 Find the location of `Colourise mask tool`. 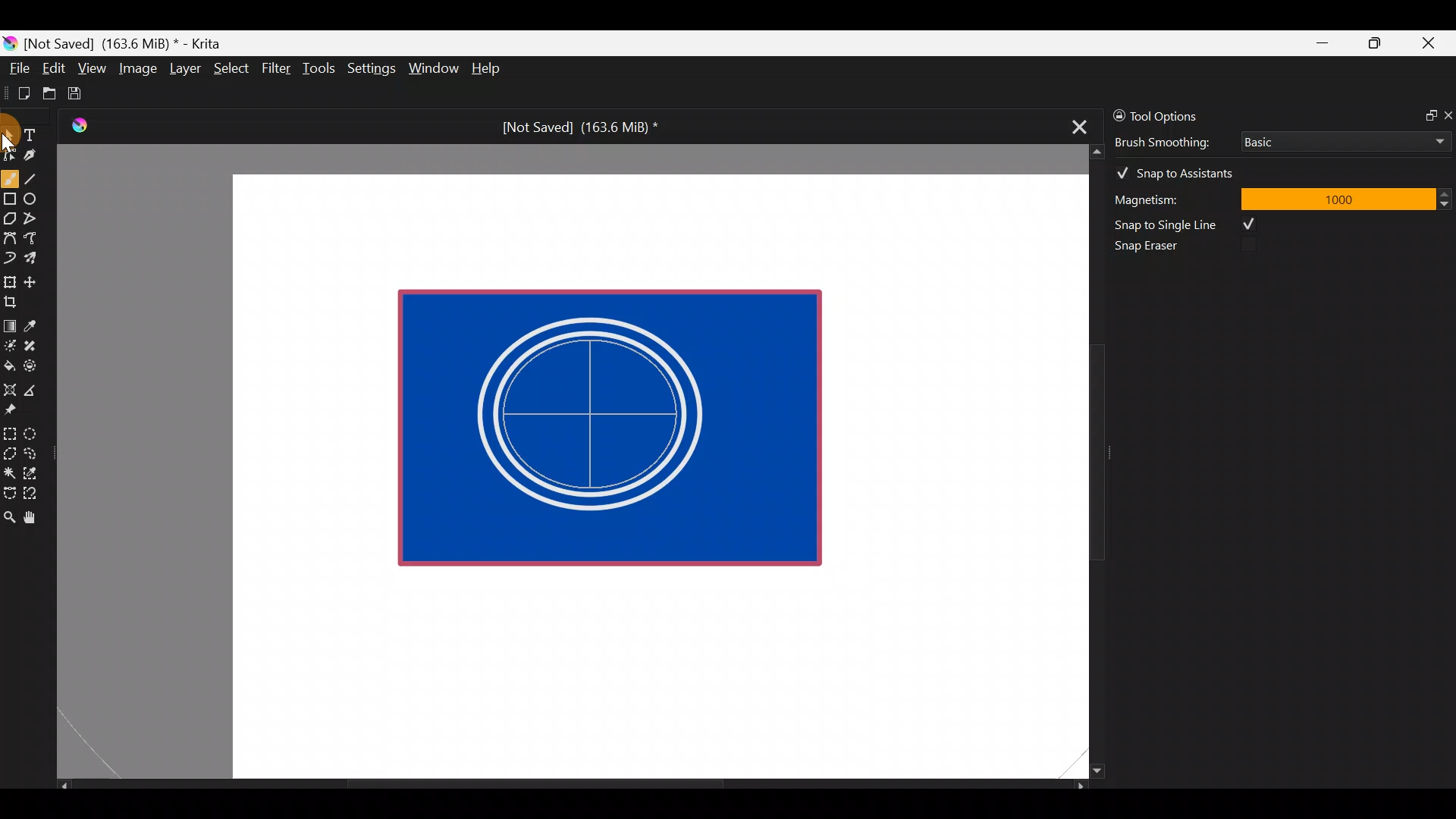

Colourise mask tool is located at coordinates (10, 344).